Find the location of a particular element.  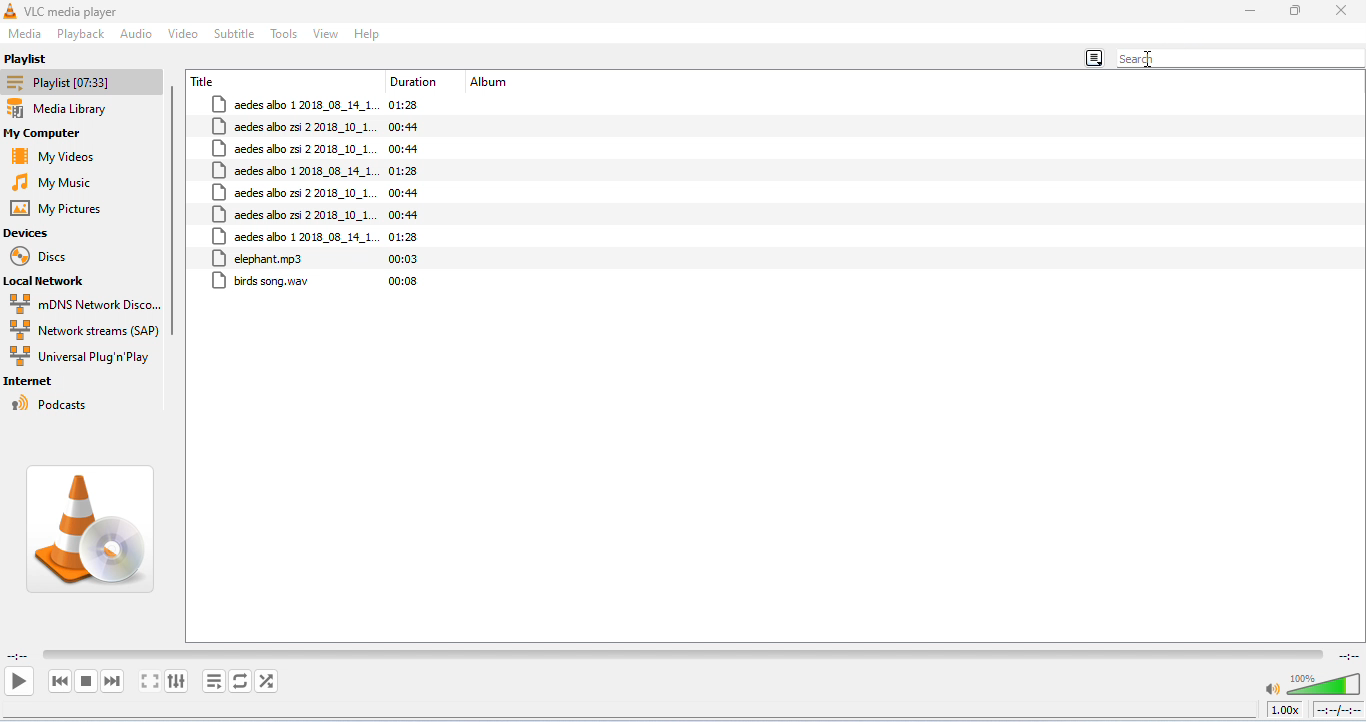

progress of media is located at coordinates (683, 652).